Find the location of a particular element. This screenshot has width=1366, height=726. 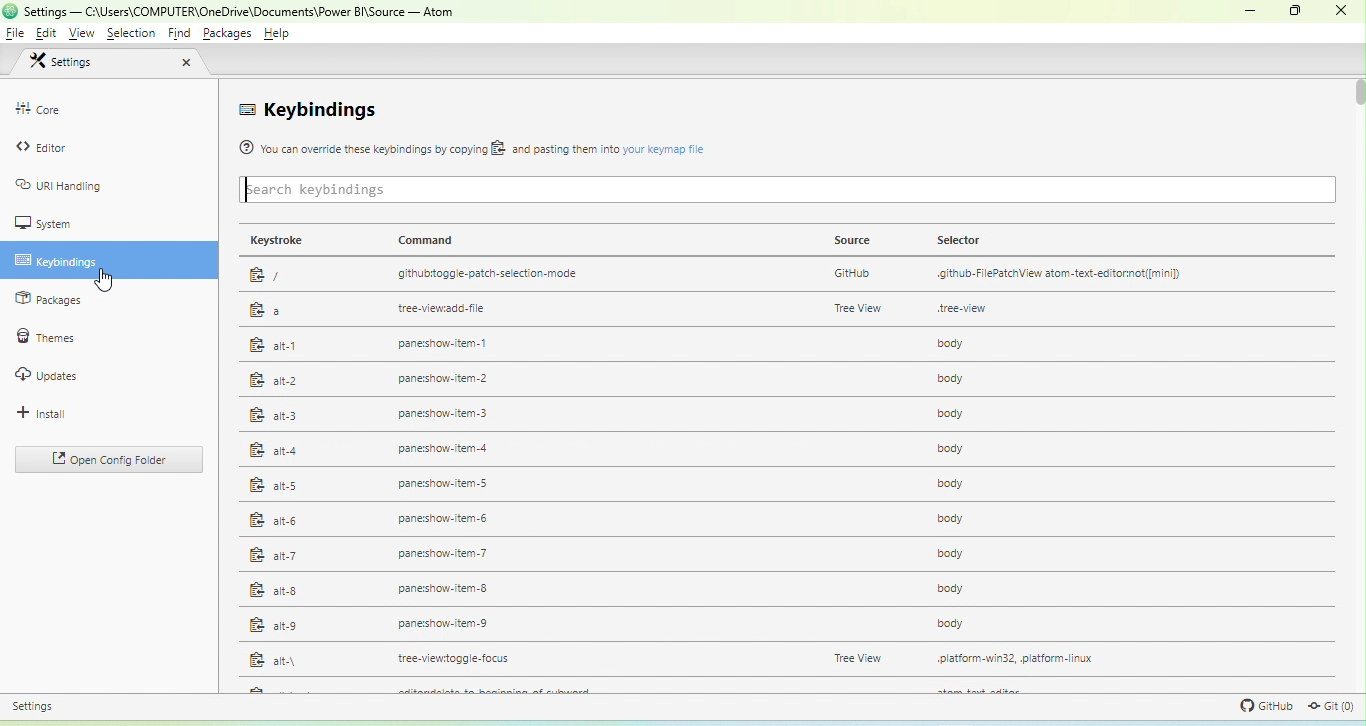

cursor is located at coordinates (106, 283).